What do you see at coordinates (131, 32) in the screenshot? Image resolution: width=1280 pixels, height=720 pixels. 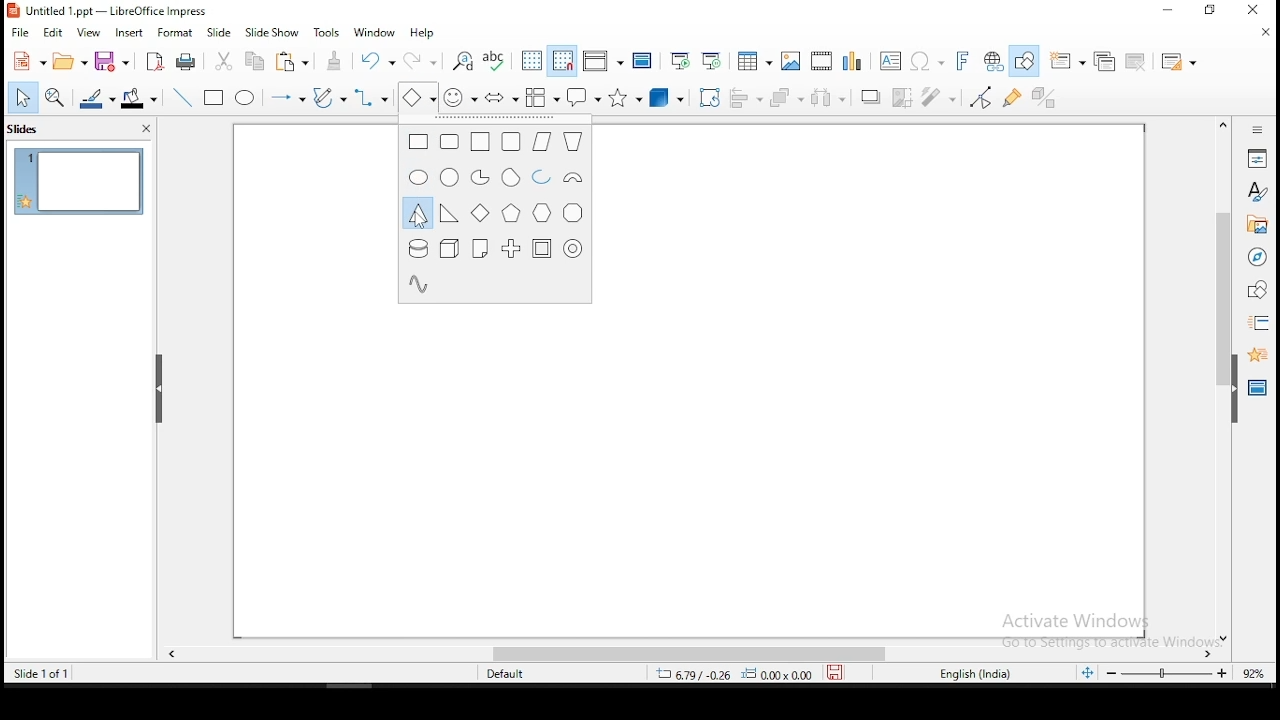 I see `insert` at bounding box center [131, 32].